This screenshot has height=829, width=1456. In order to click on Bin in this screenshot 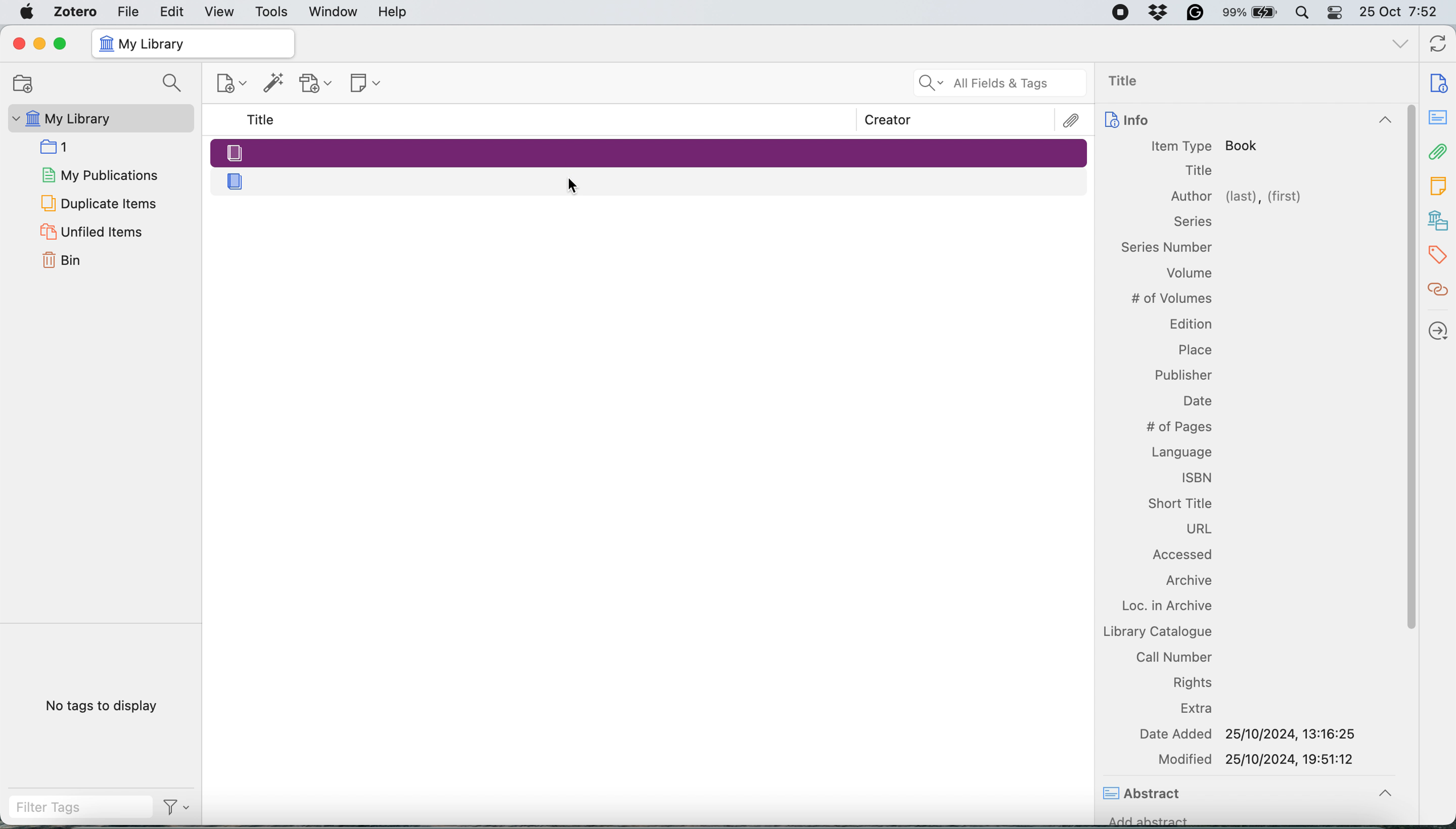, I will do `click(76, 258)`.